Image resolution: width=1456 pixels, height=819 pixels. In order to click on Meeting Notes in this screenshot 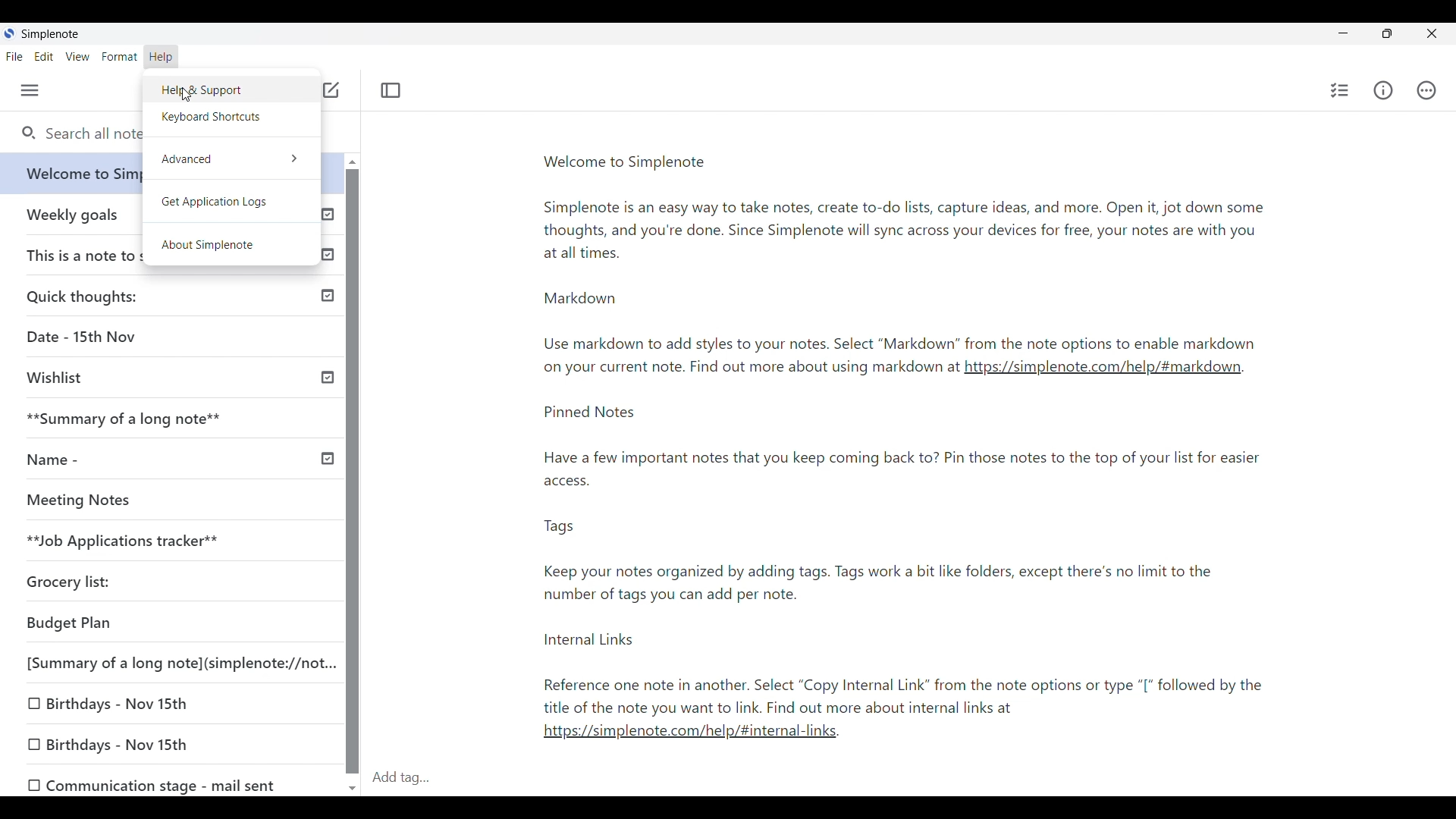, I will do `click(78, 500)`.